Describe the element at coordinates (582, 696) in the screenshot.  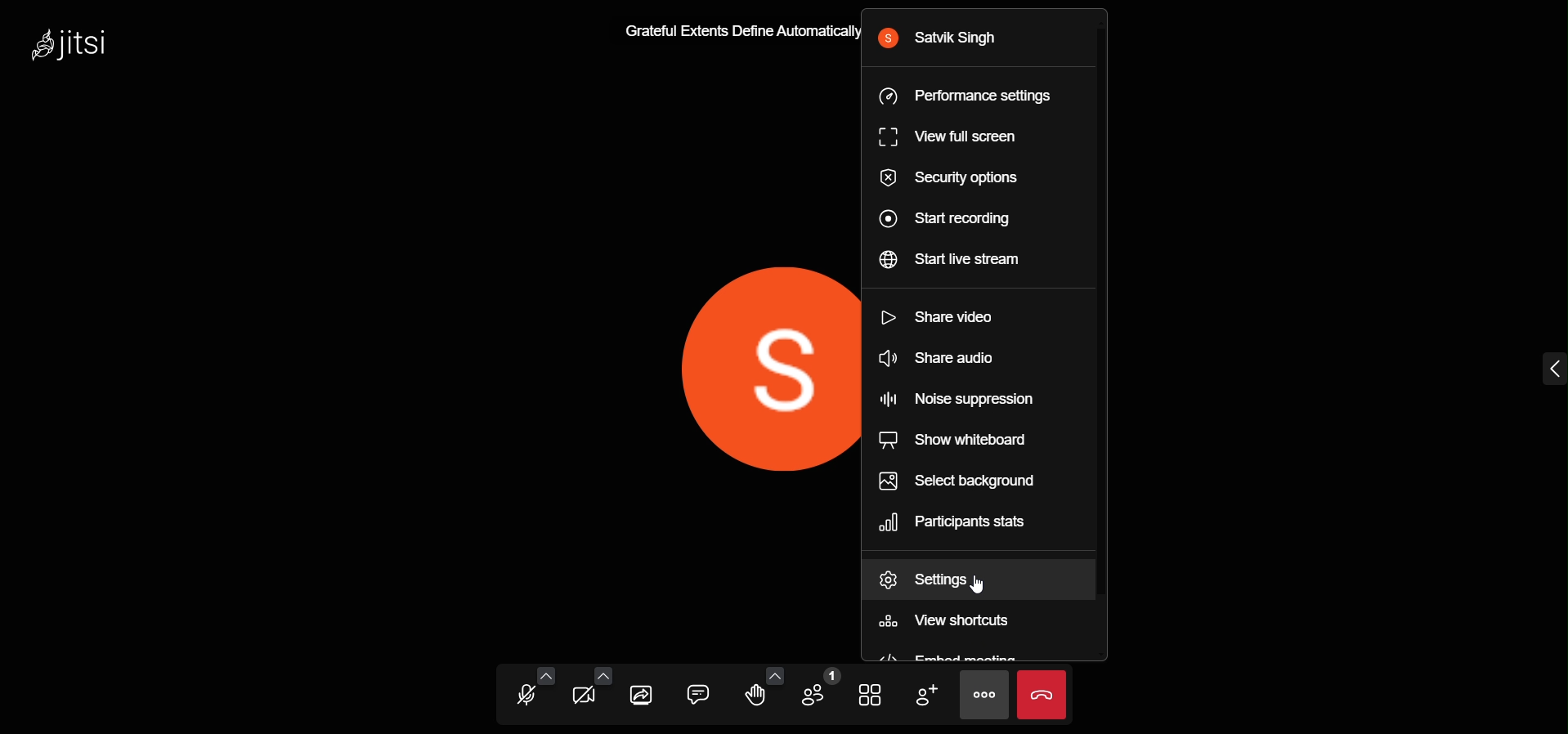
I see `video` at that location.